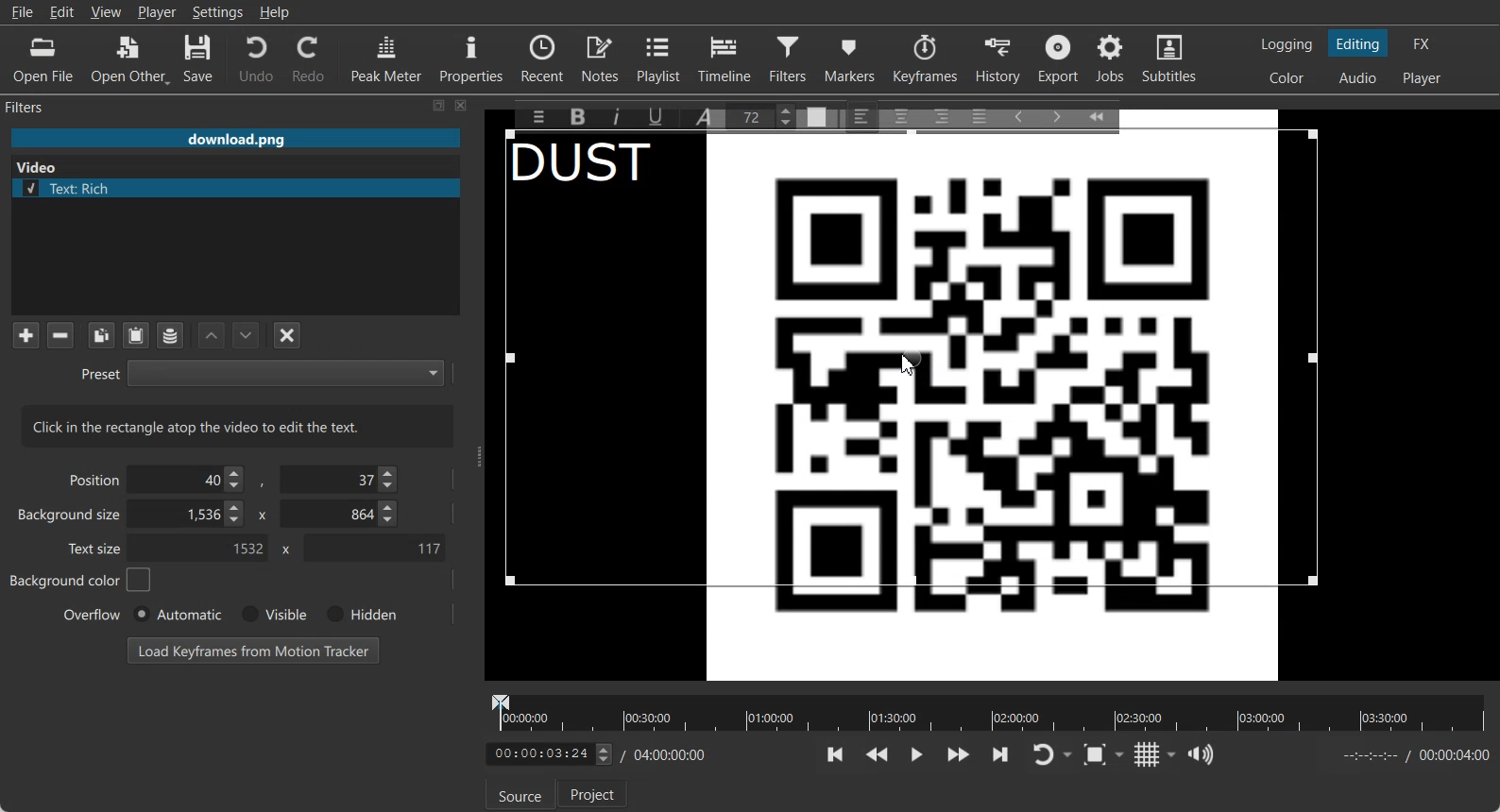 This screenshot has height=812, width=1500. Describe the element at coordinates (218, 12) in the screenshot. I see `Settings` at that location.